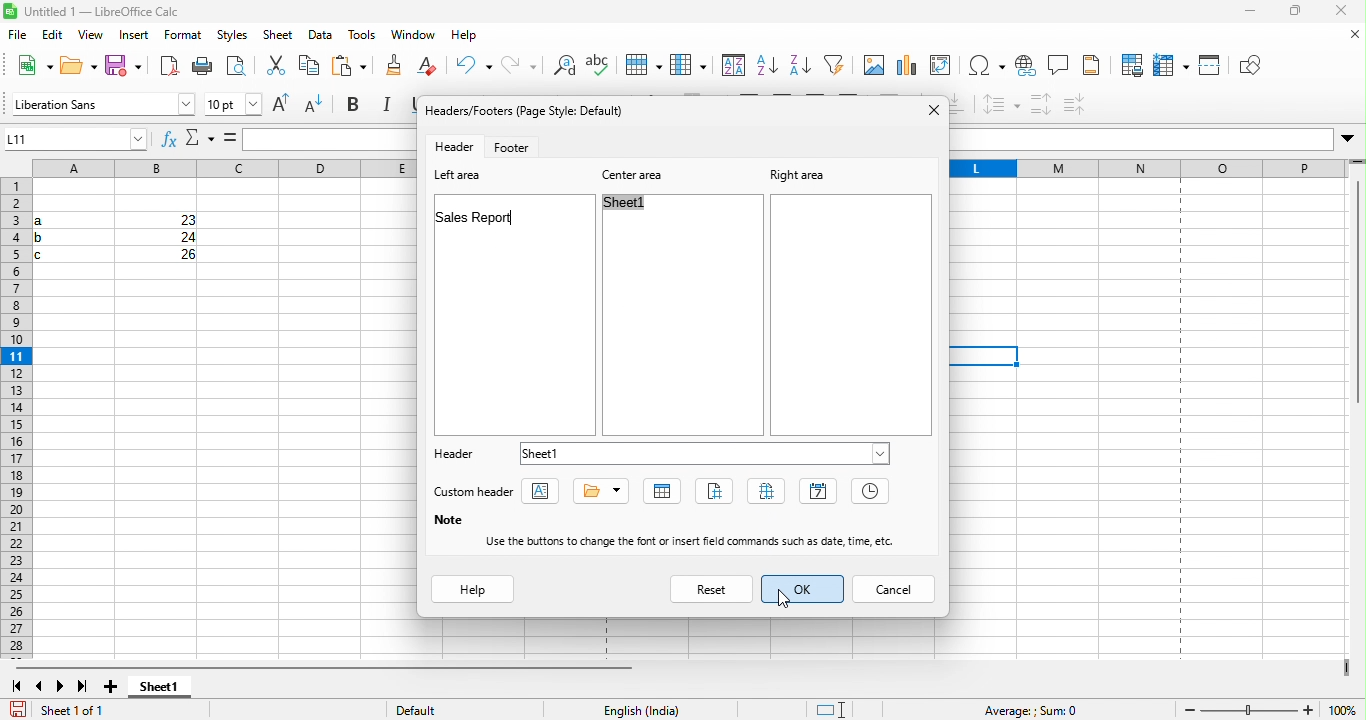  I want to click on bold, so click(359, 105).